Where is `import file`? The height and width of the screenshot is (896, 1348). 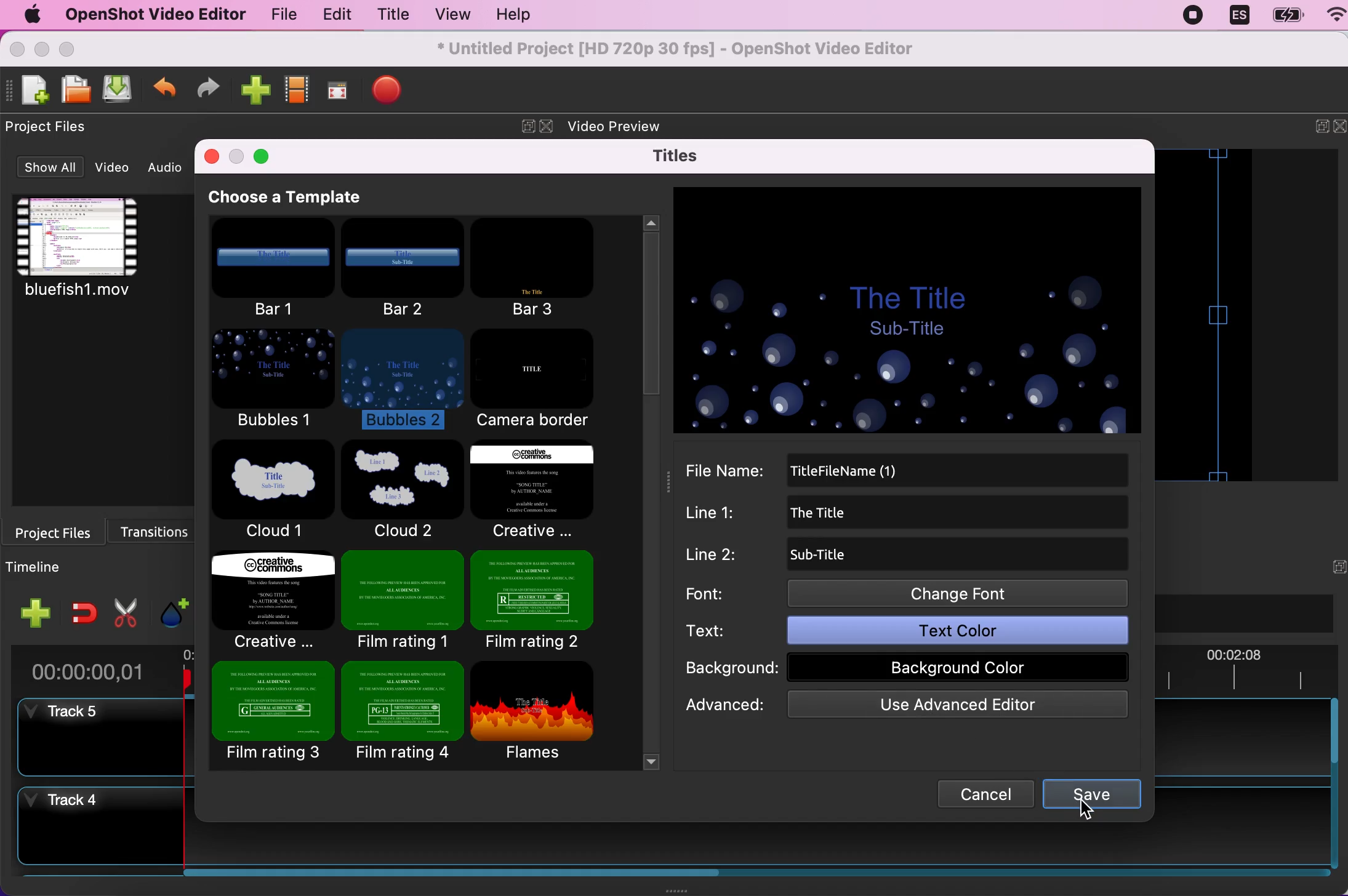
import file is located at coordinates (253, 91).